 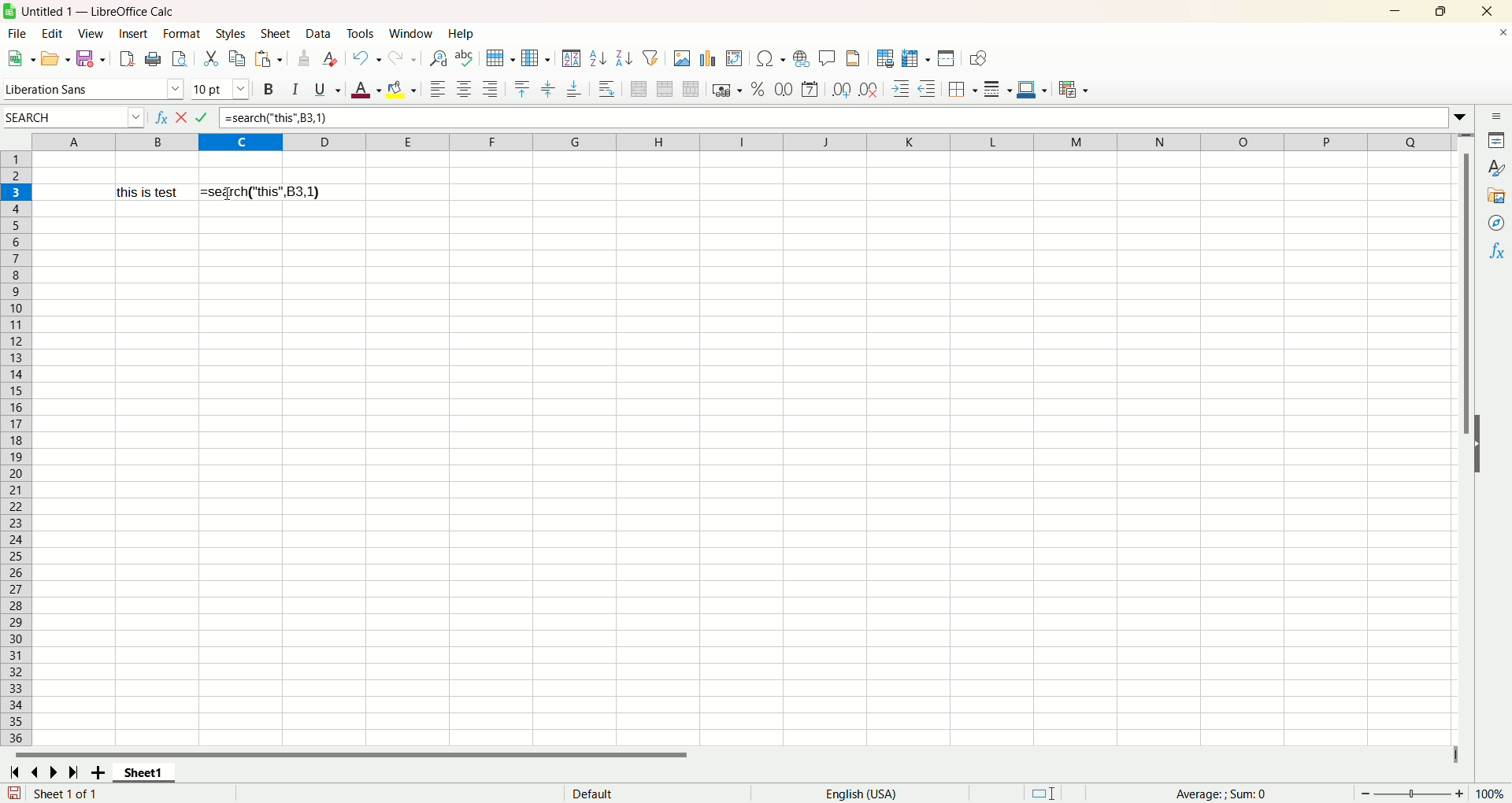 What do you see at coordinates (271, 88) in the screenshot?
I see `bold ` at bounding box center [271, 88].